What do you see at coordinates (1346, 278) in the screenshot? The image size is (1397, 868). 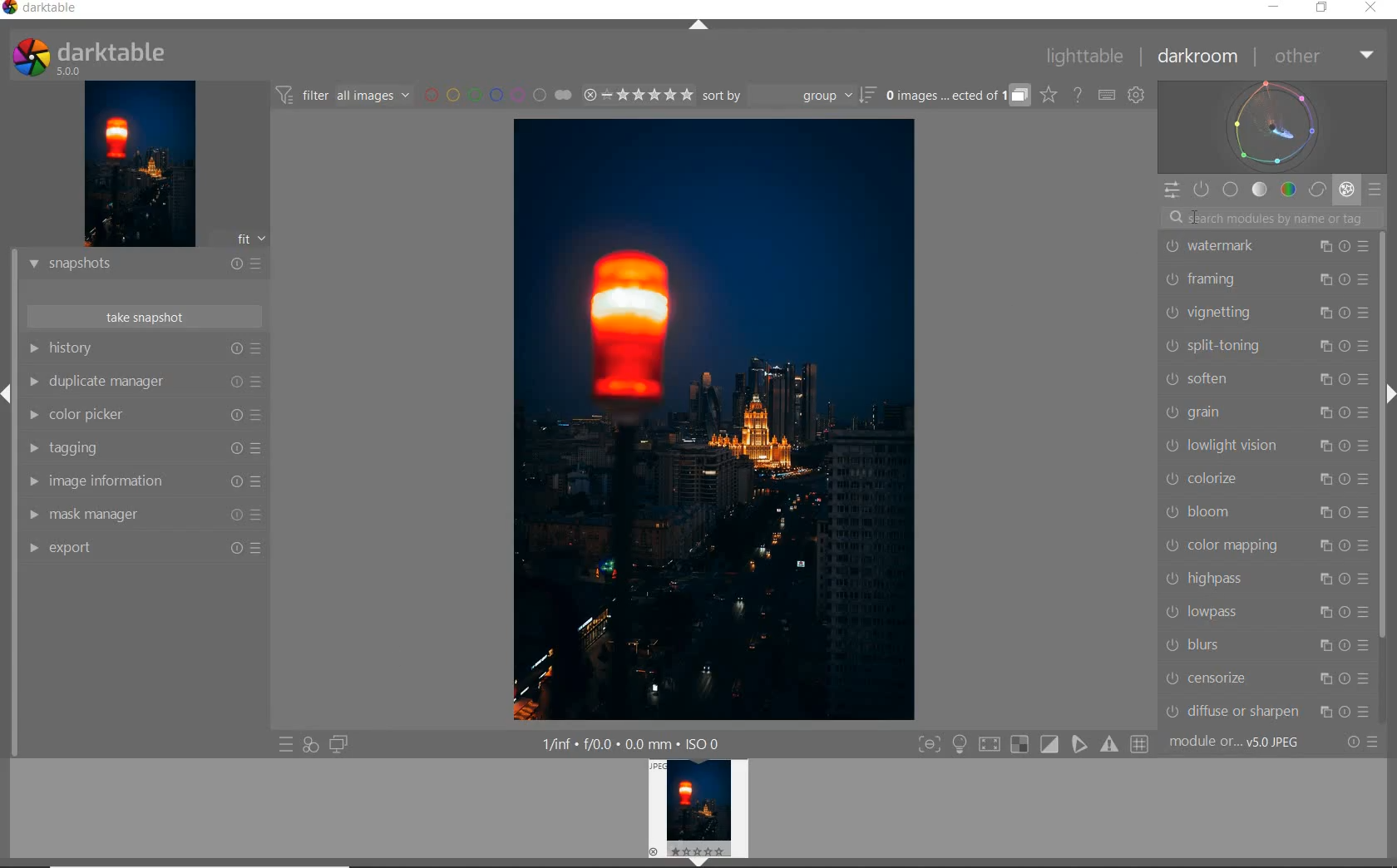 I see `Reset` at bounding box center [1346, 278].